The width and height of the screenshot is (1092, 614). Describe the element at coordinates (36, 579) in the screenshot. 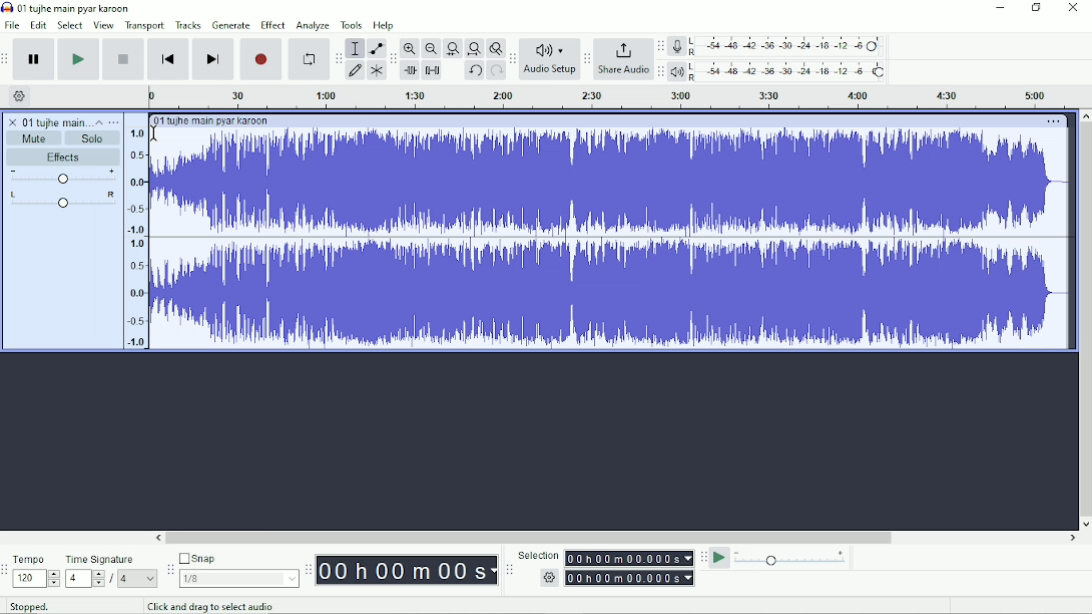

I see `120` at that location.